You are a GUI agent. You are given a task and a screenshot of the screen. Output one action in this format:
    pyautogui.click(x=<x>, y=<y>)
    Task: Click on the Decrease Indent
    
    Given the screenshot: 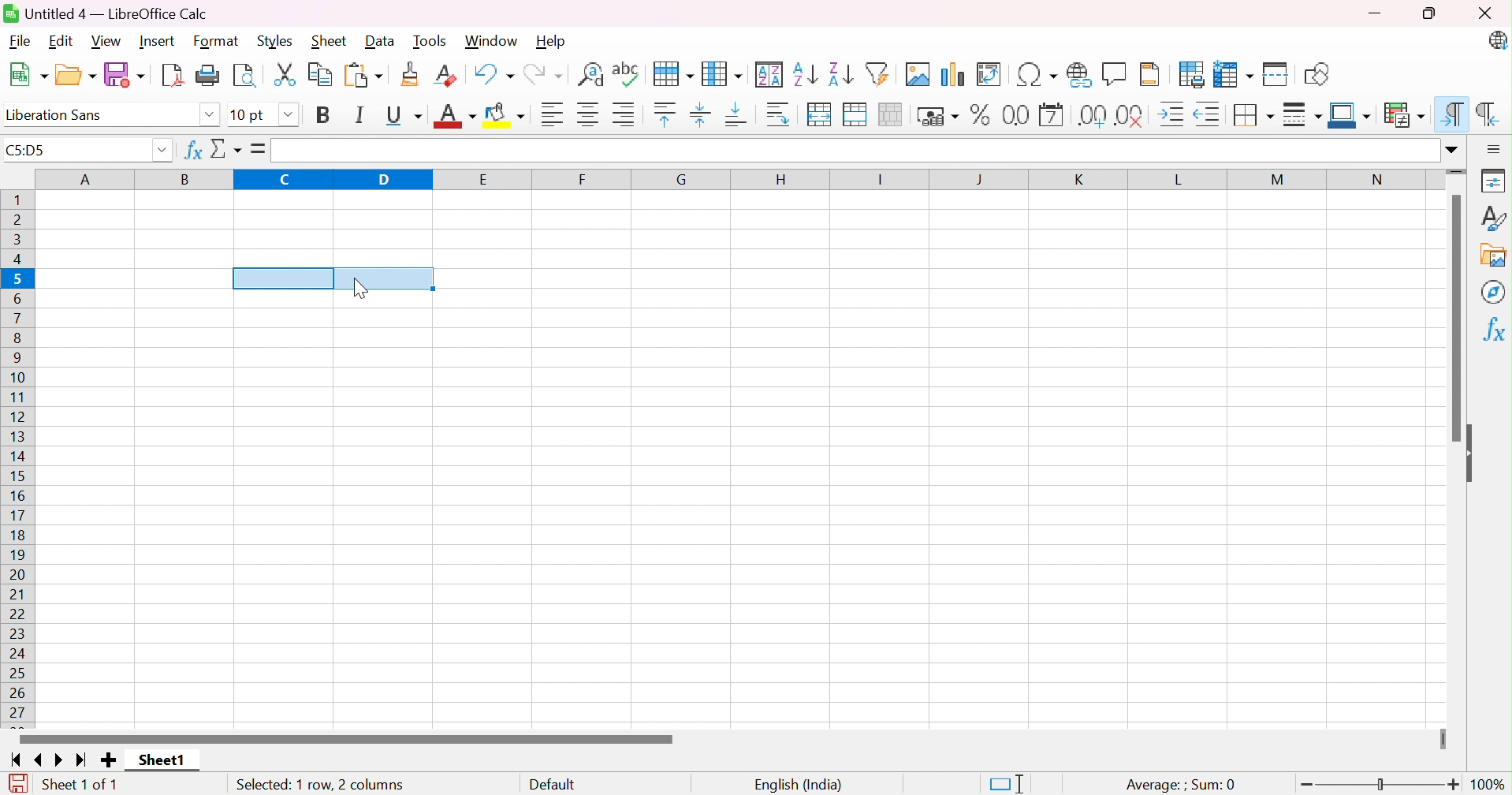 What is the action you would take?
    pyautogui.click(x=1212, y=113)
    